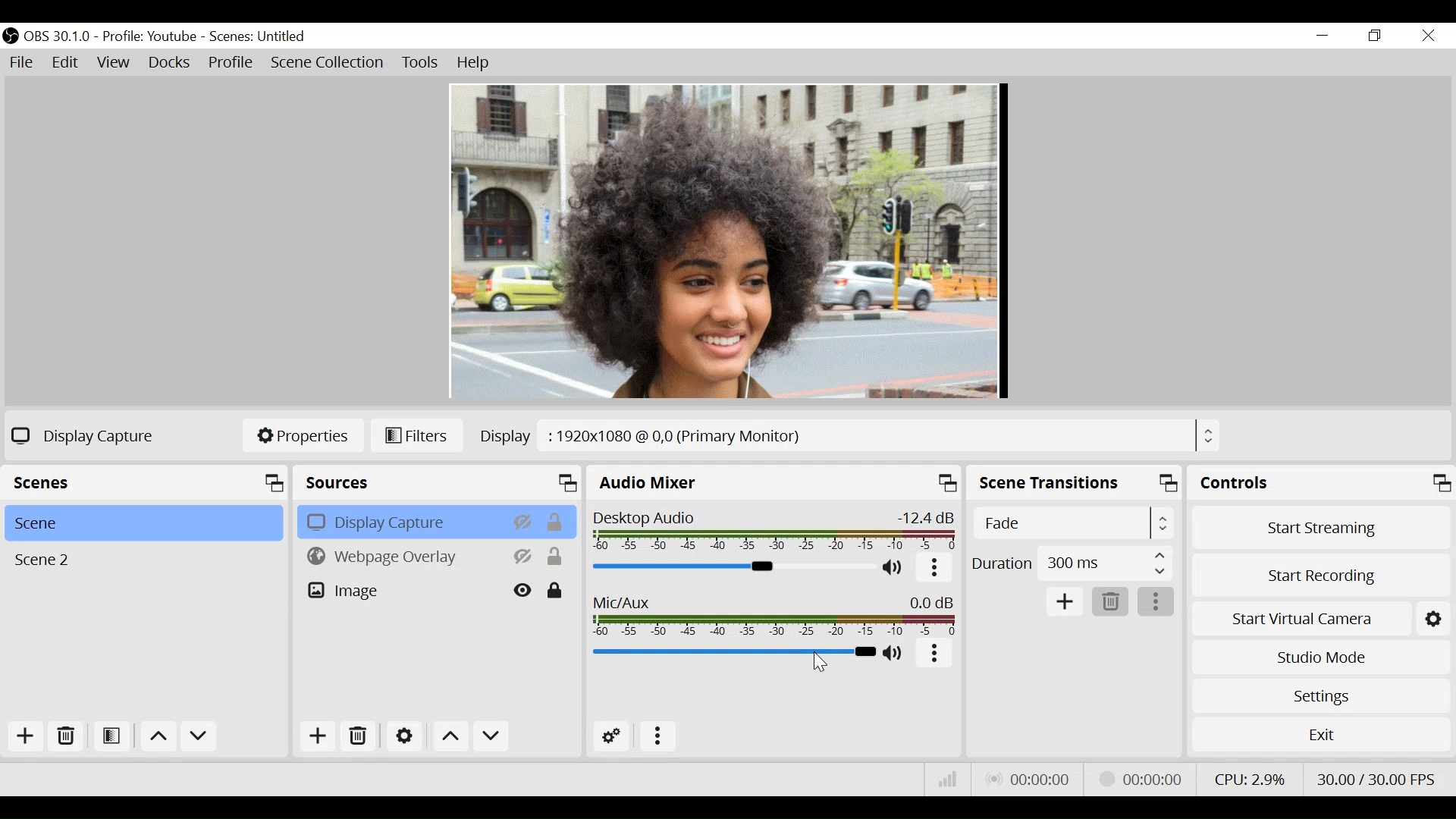  What do you see at coordinates (776, 615) in the screenshot?
I see `Mic/Aux` at bounding box center [776, 615].